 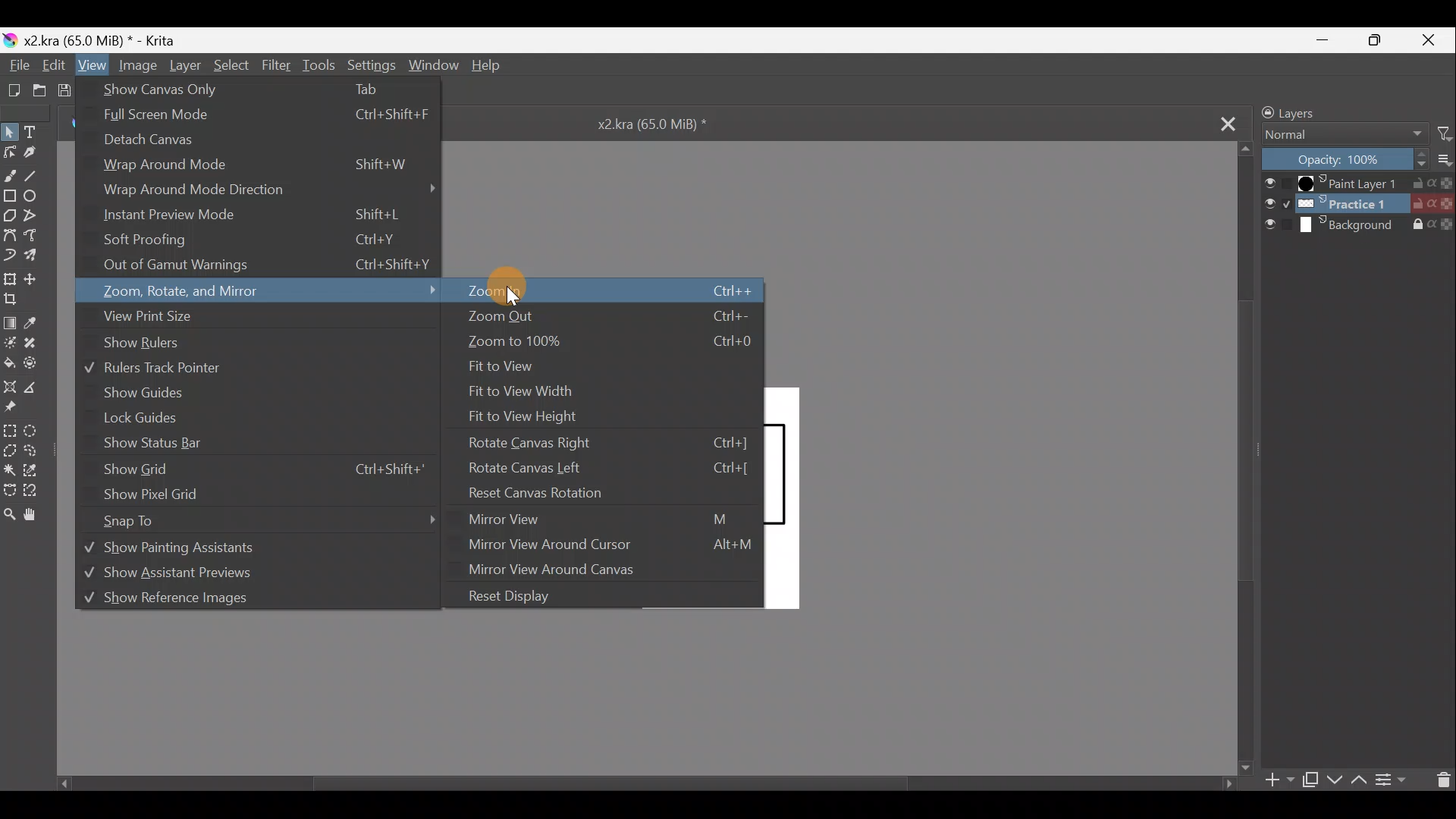 What do you see at coordinates (89, 65) in the screenshot?
I see `View` at bounding box center [89, 65].